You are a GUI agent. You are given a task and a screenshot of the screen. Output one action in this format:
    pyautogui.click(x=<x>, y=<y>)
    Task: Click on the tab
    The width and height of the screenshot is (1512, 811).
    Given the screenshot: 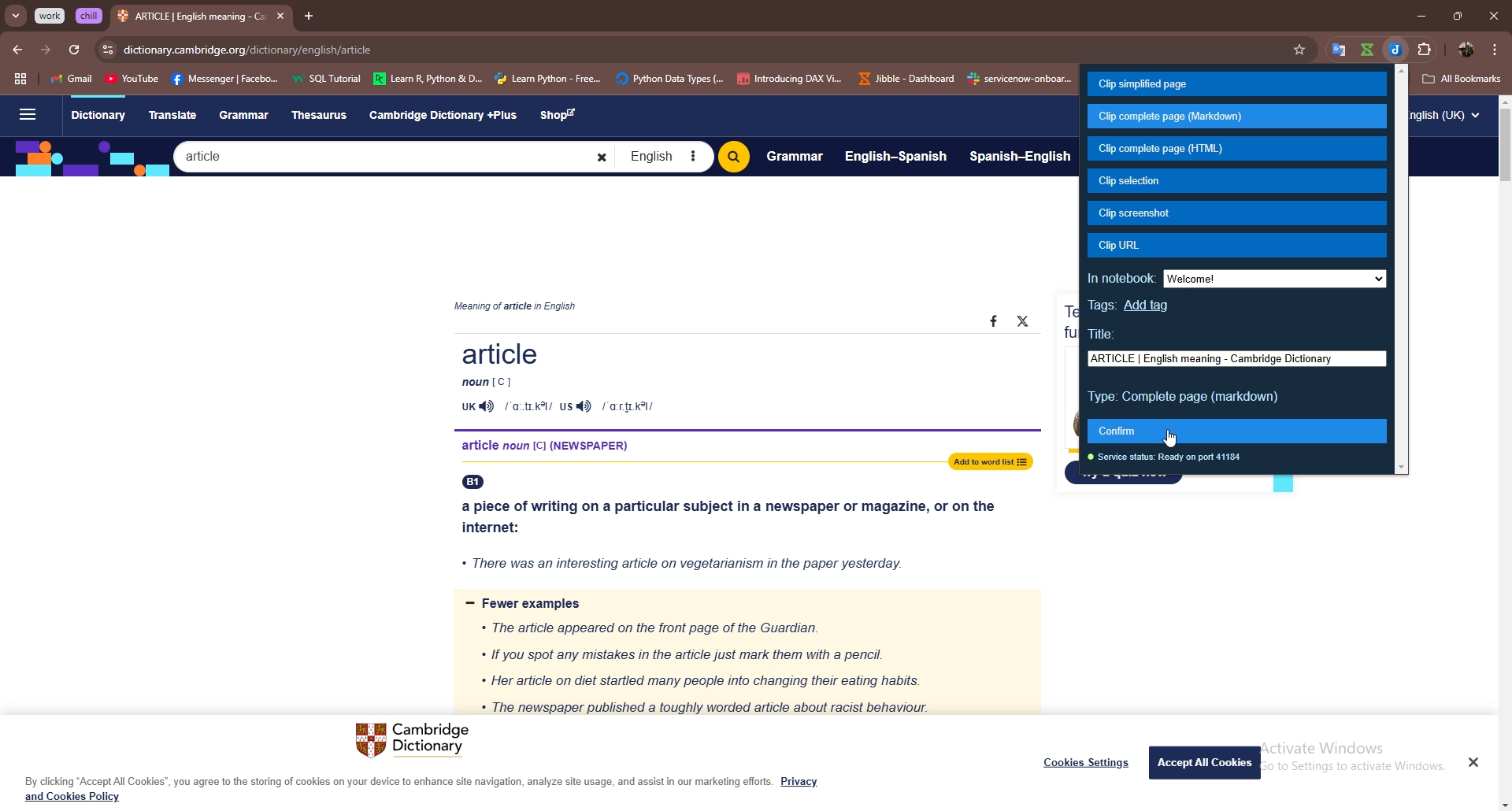 What is the action you would take?
    pyautogui.click(x=191, y=18)
    